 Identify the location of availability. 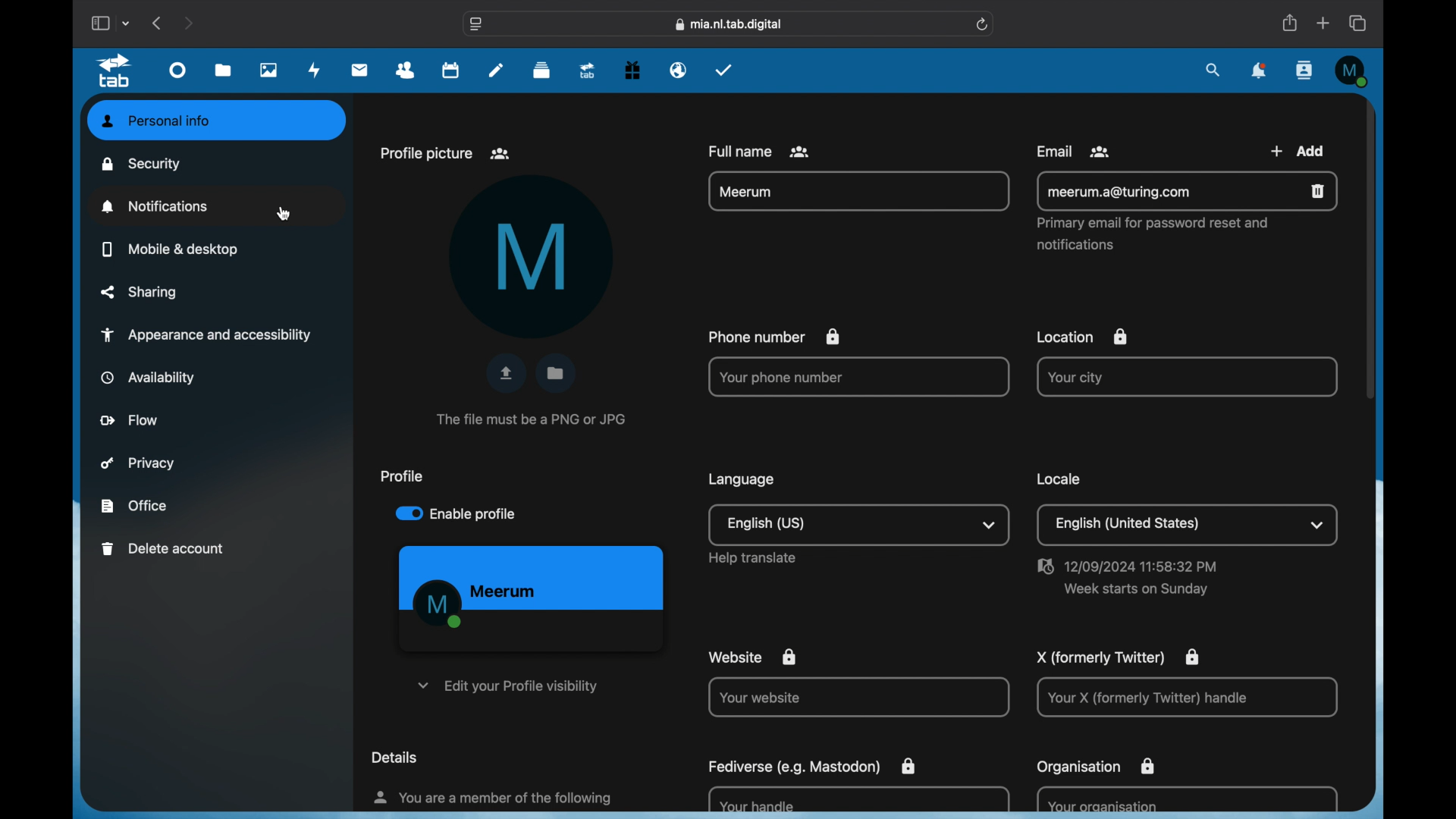
(147, 378).